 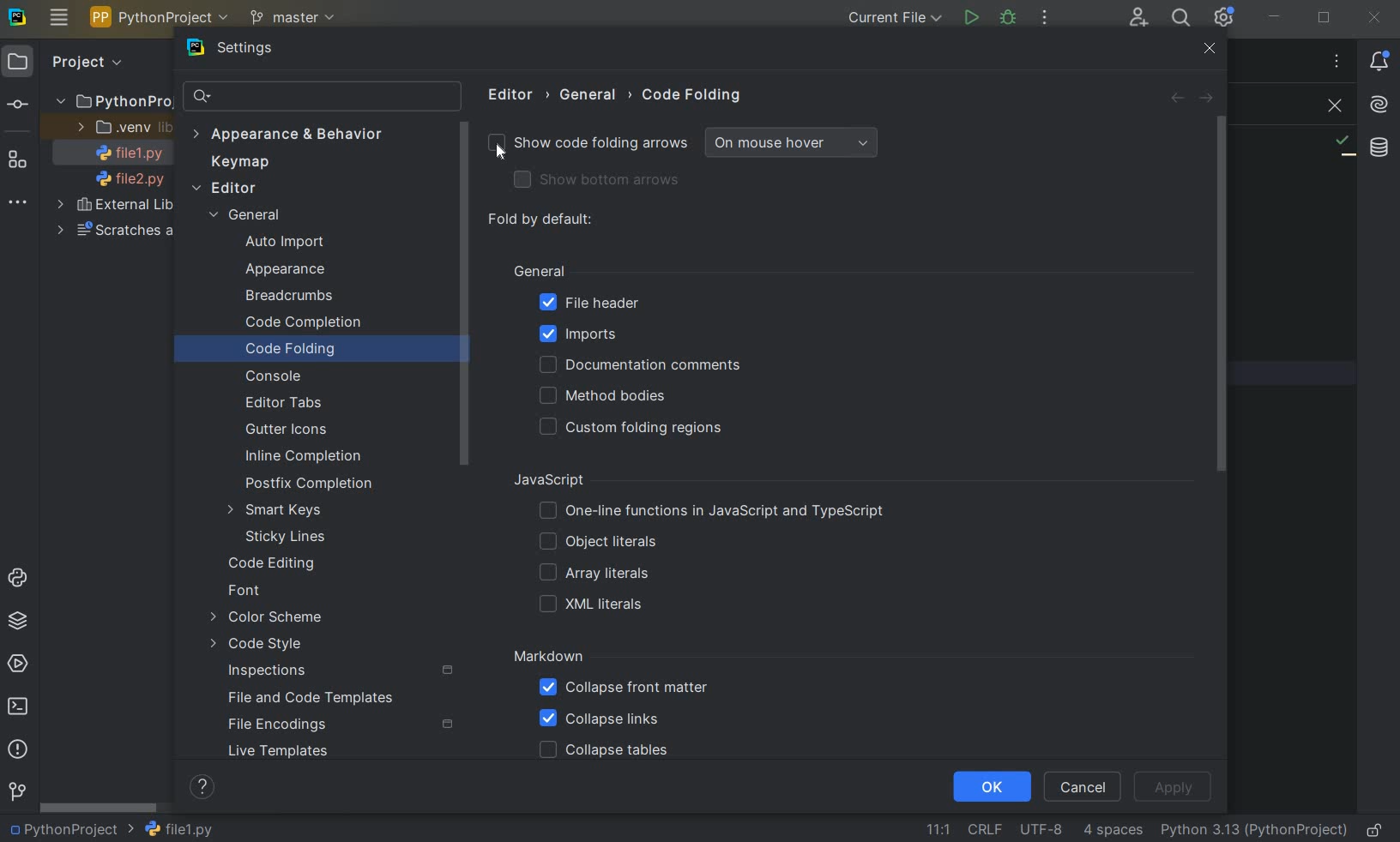 I want to click on INSPECTIONS, so click(x=341, y=671).